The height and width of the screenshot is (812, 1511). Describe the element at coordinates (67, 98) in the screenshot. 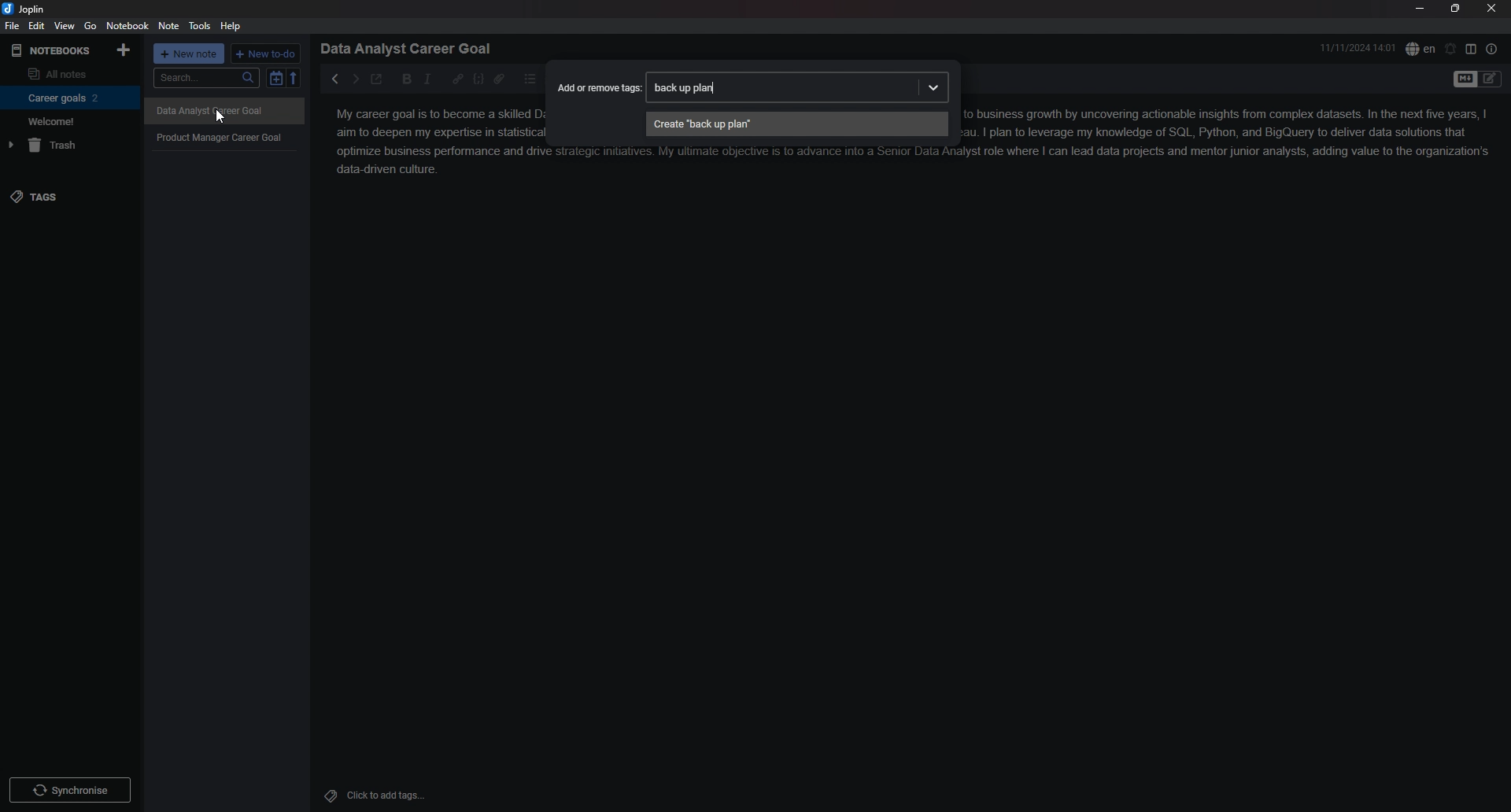

I see `Career goals 2` at that location.